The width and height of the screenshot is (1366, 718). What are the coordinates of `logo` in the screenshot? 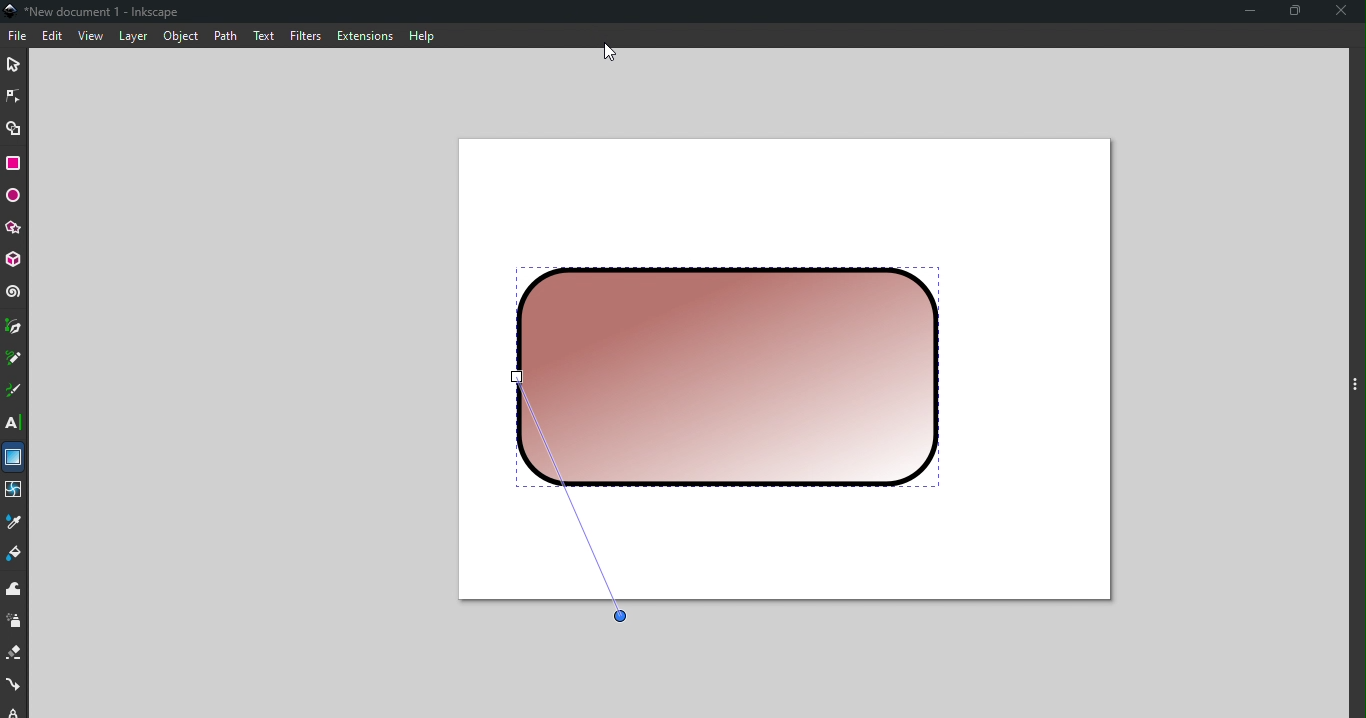 It's located at (14, 12).